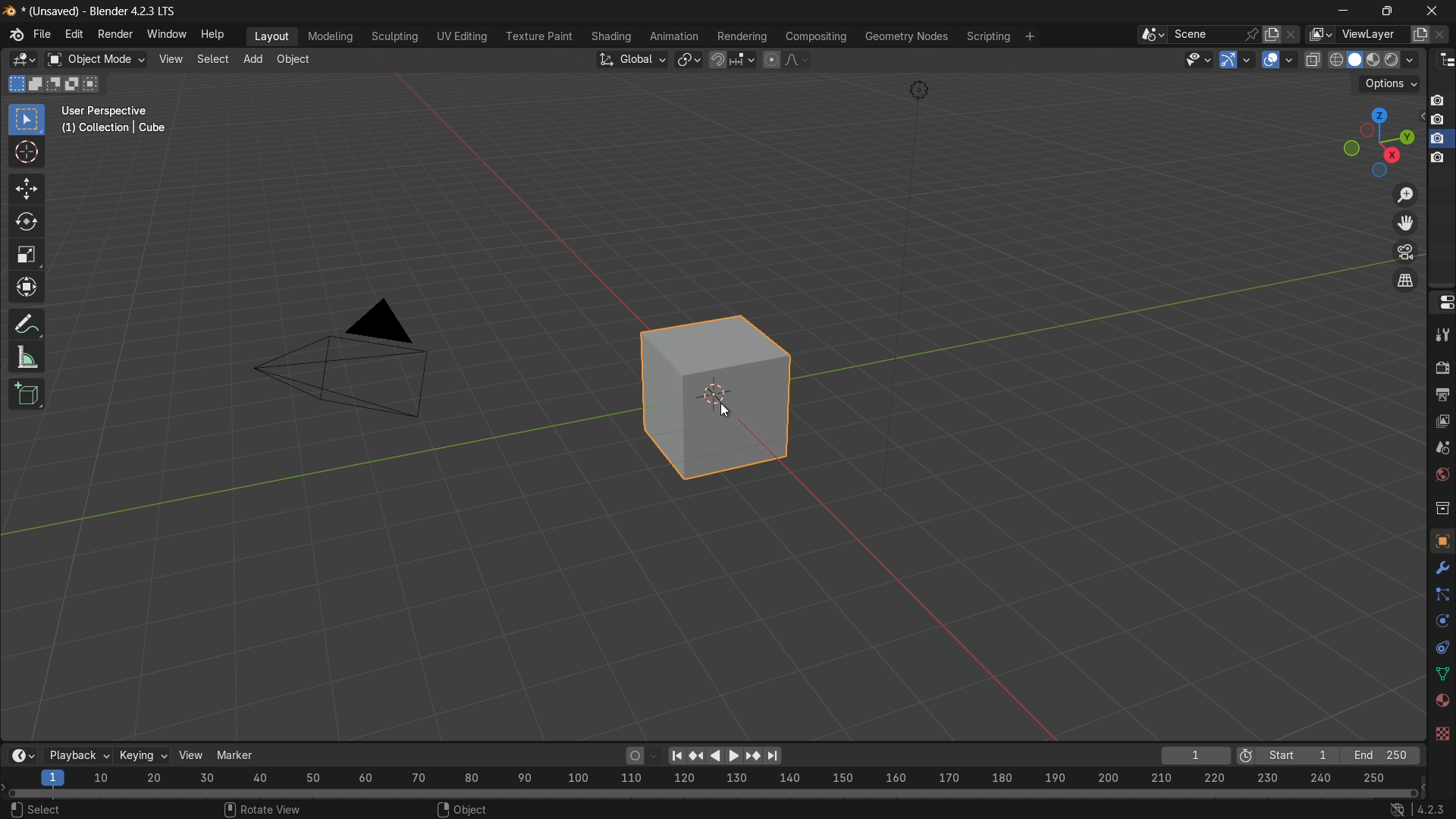  I want to click on toggle x-ray, so click(1313, 59).